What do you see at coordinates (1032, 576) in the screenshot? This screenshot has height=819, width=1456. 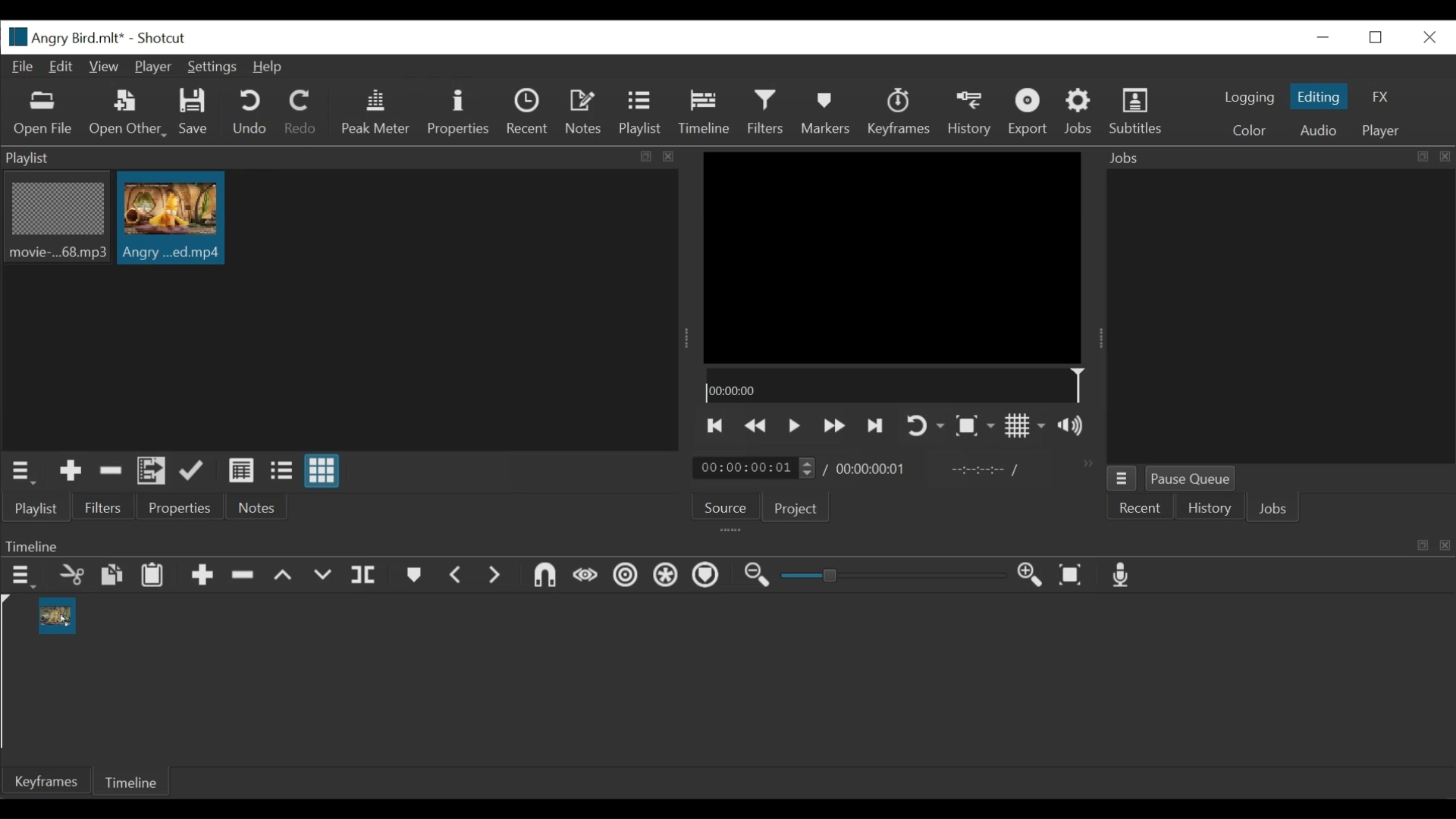 I see `Zoom timeline in` at bounding box center [1032, 576].